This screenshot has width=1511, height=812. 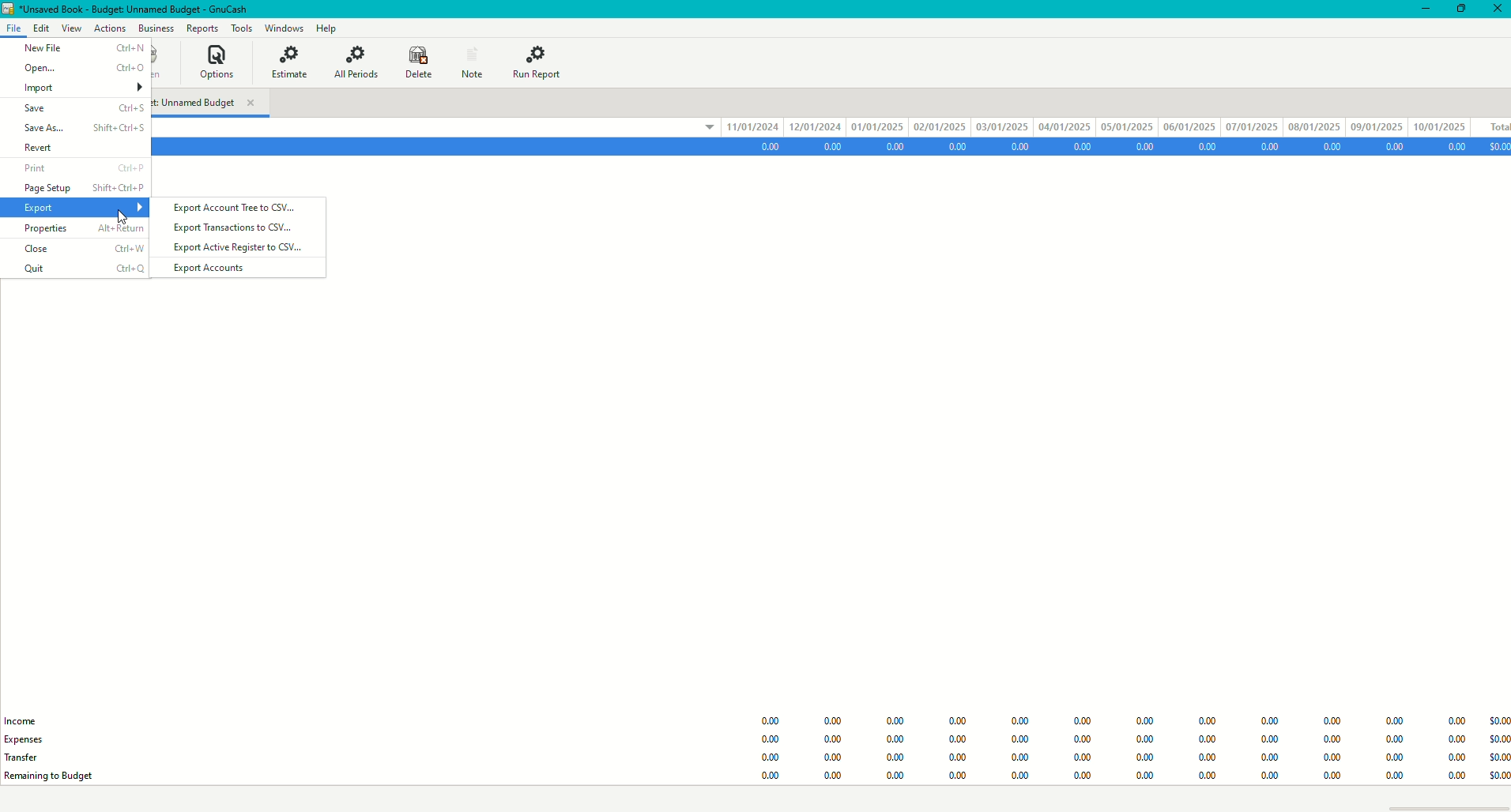 What do you see at coordinates (1131, 147) in the screenshot?
I see `Account Data` at bounding box center [1131, 147].